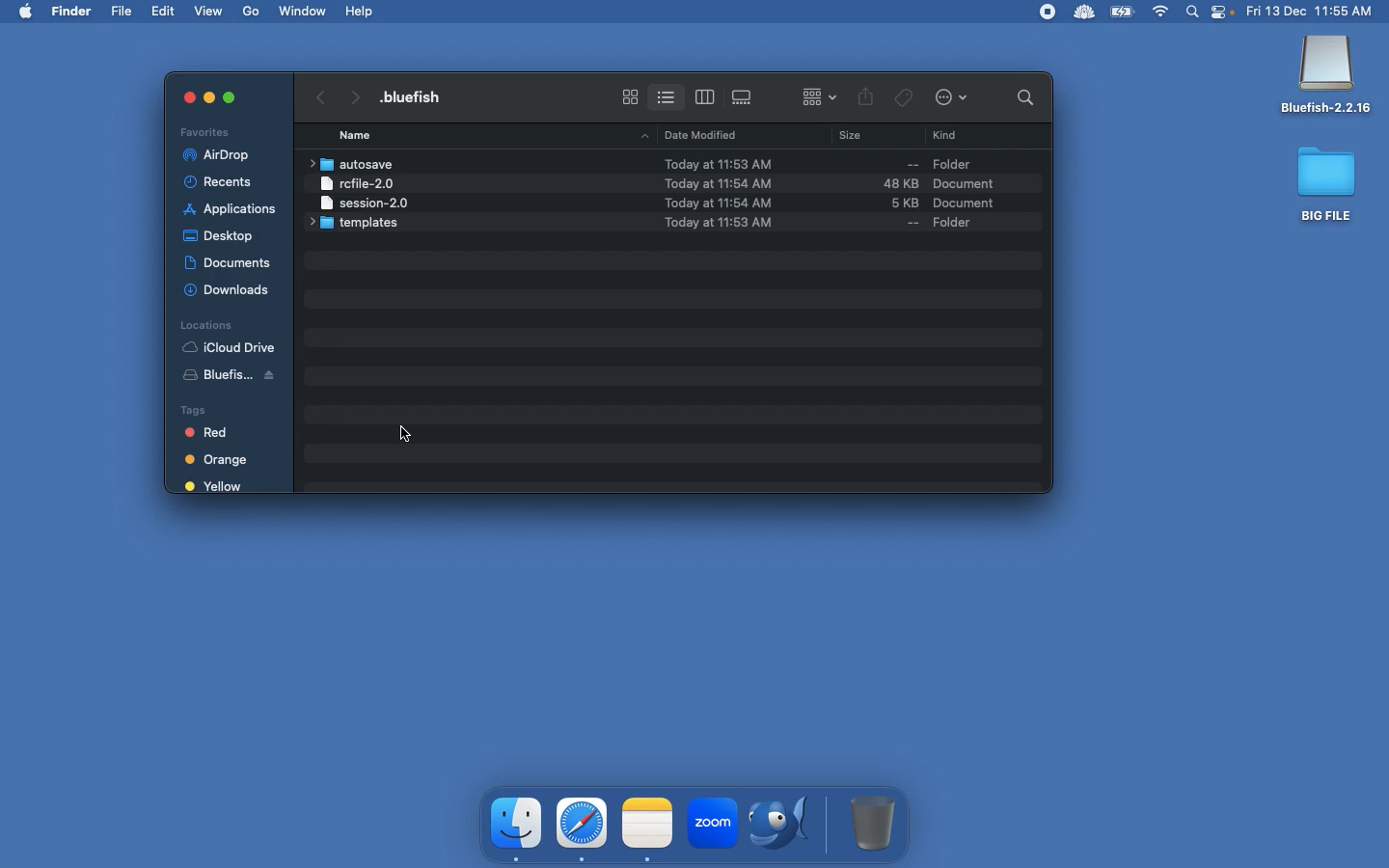 This screenshot has height=868, width=1389. Describe the element at coordinates (705, 96) in the screenshot. I see `Column View` at that location.